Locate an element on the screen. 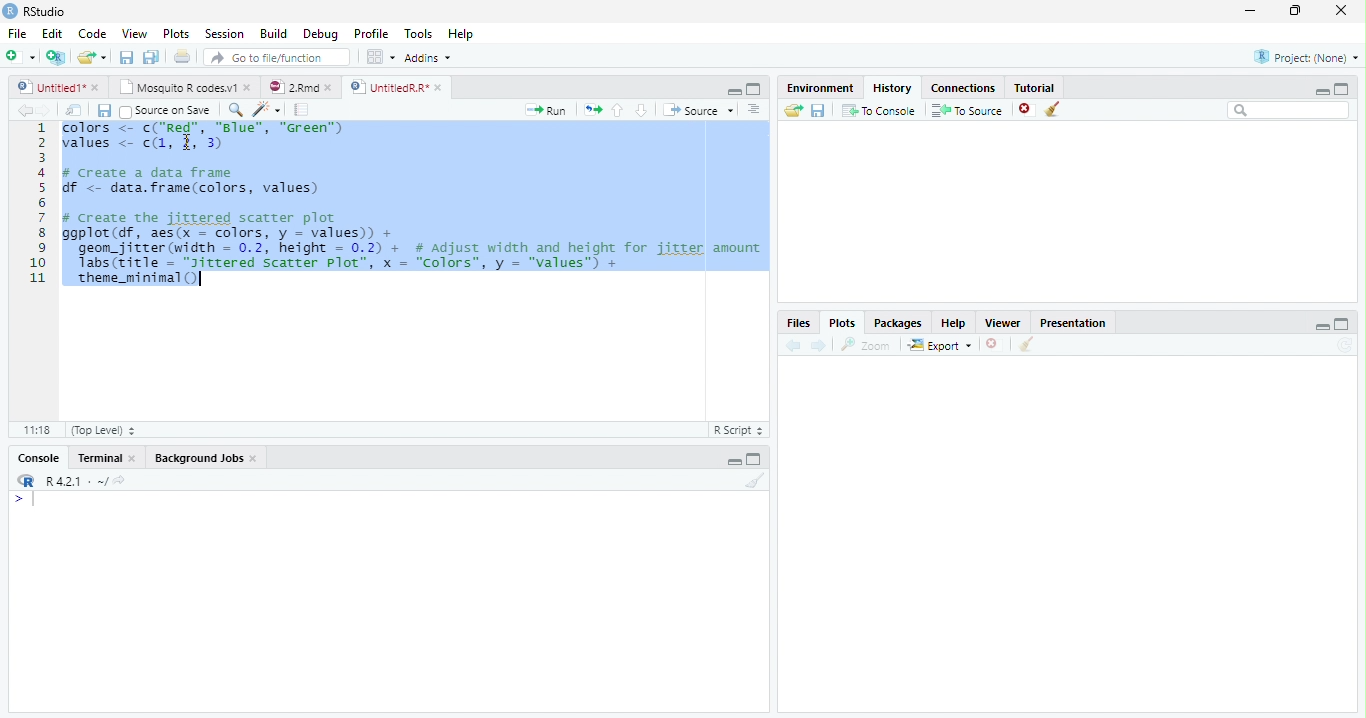 The width and height of the screenshot is (1366, 718). close is located at coordinates (438, 88).